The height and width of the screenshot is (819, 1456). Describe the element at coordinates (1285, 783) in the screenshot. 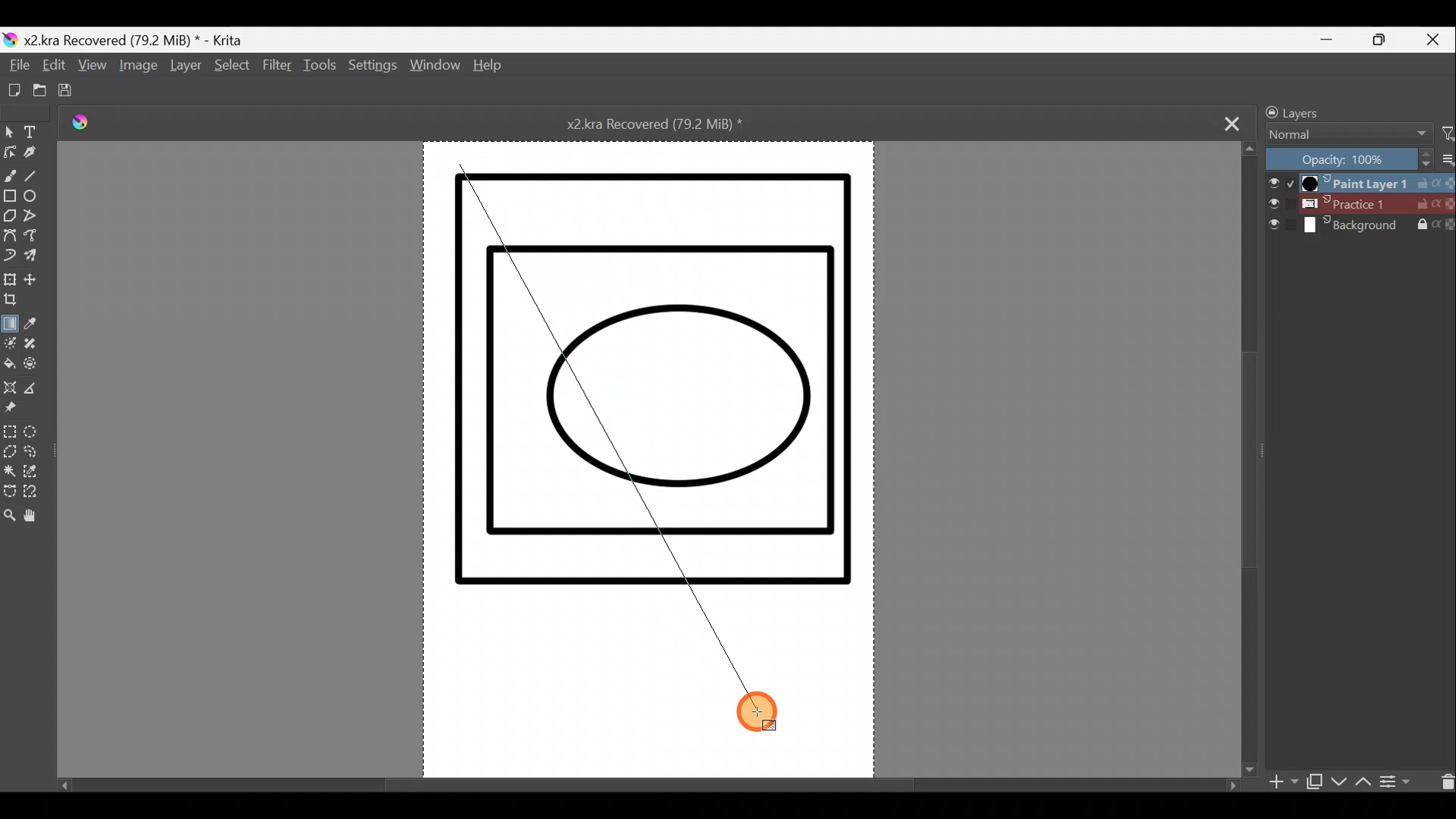

I see `Add layer/mask` at that location.